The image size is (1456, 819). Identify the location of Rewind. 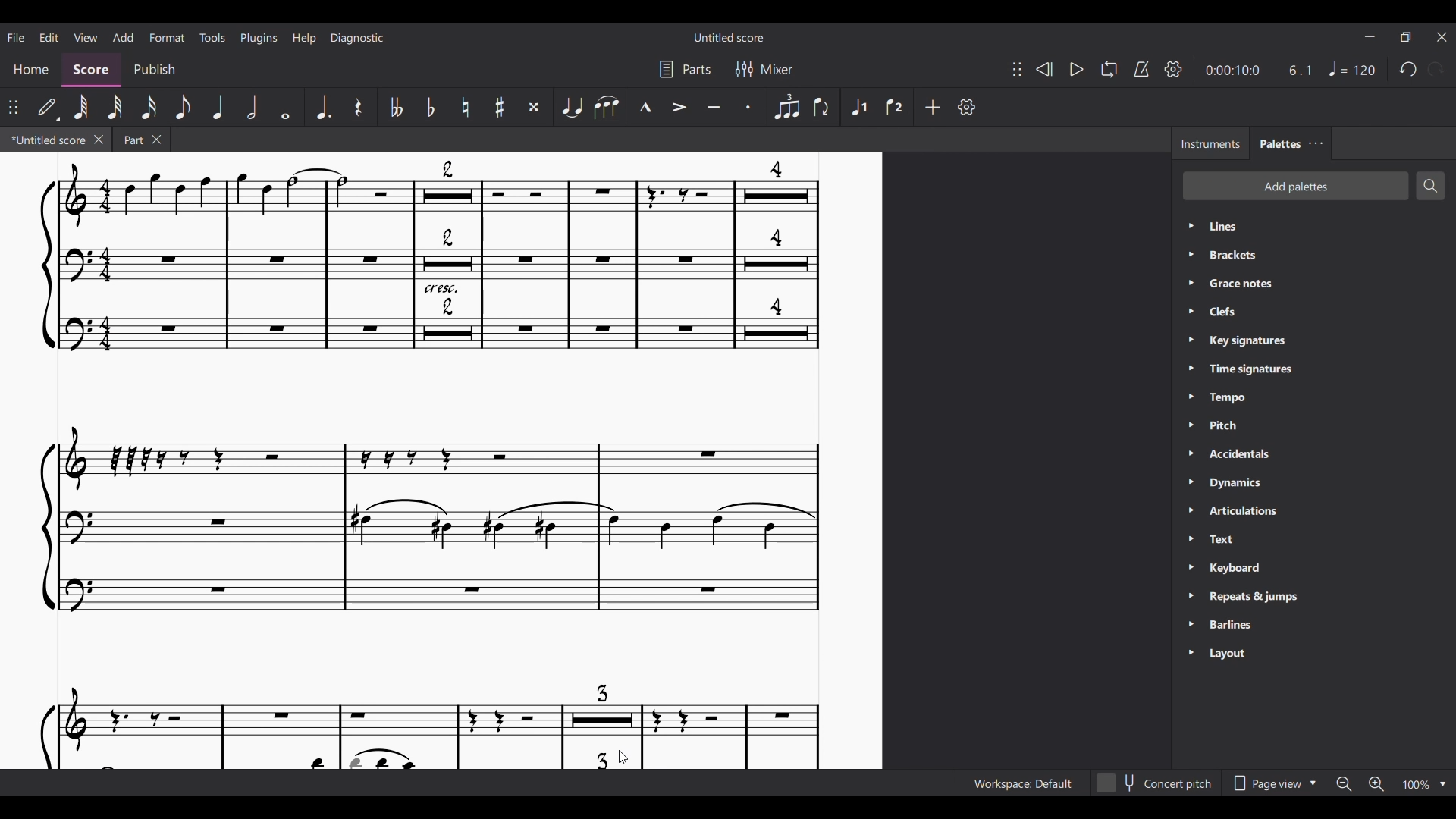
(1043, 69).